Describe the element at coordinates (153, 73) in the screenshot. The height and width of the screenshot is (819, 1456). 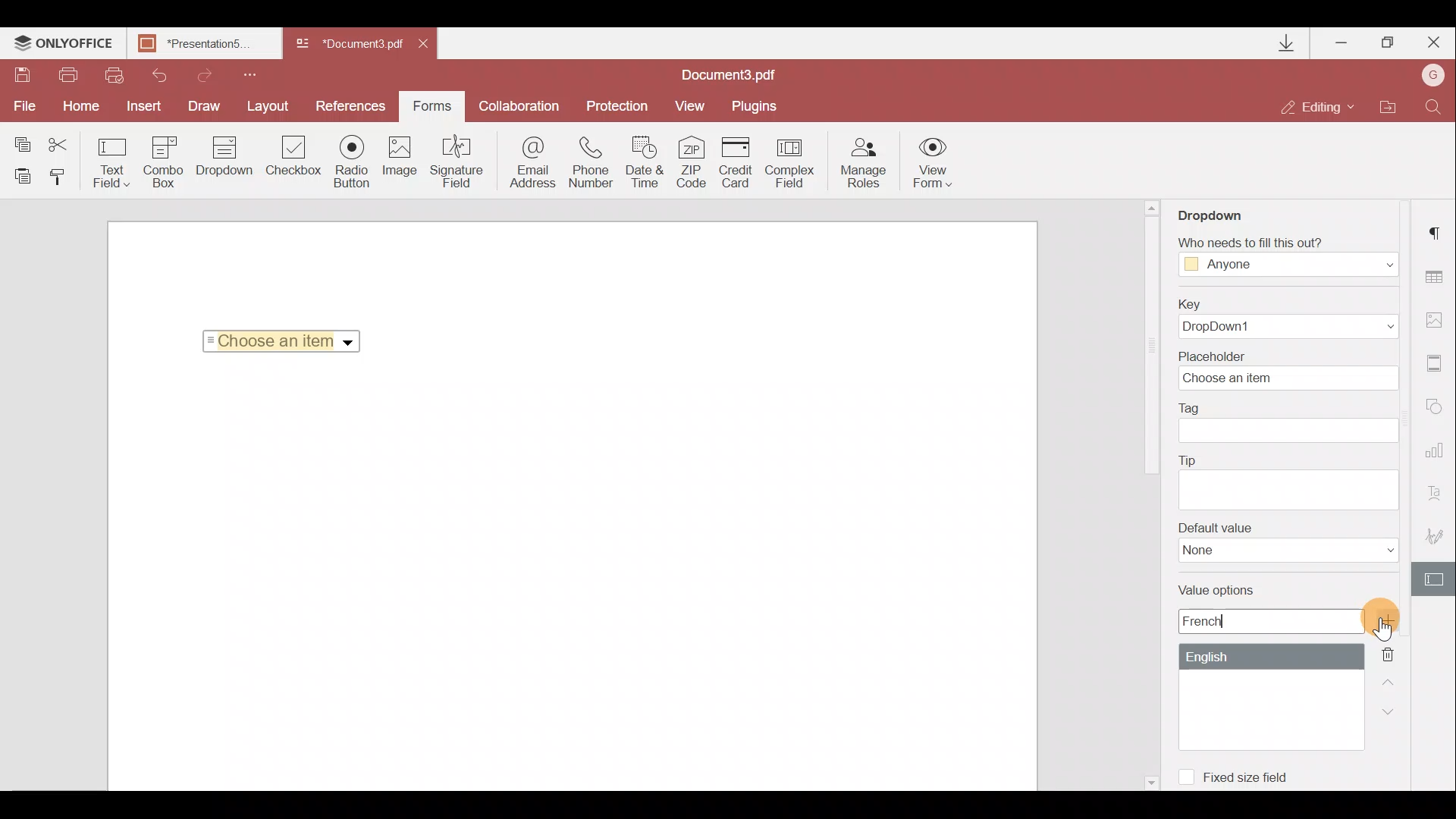
I see `Undo` at that location.